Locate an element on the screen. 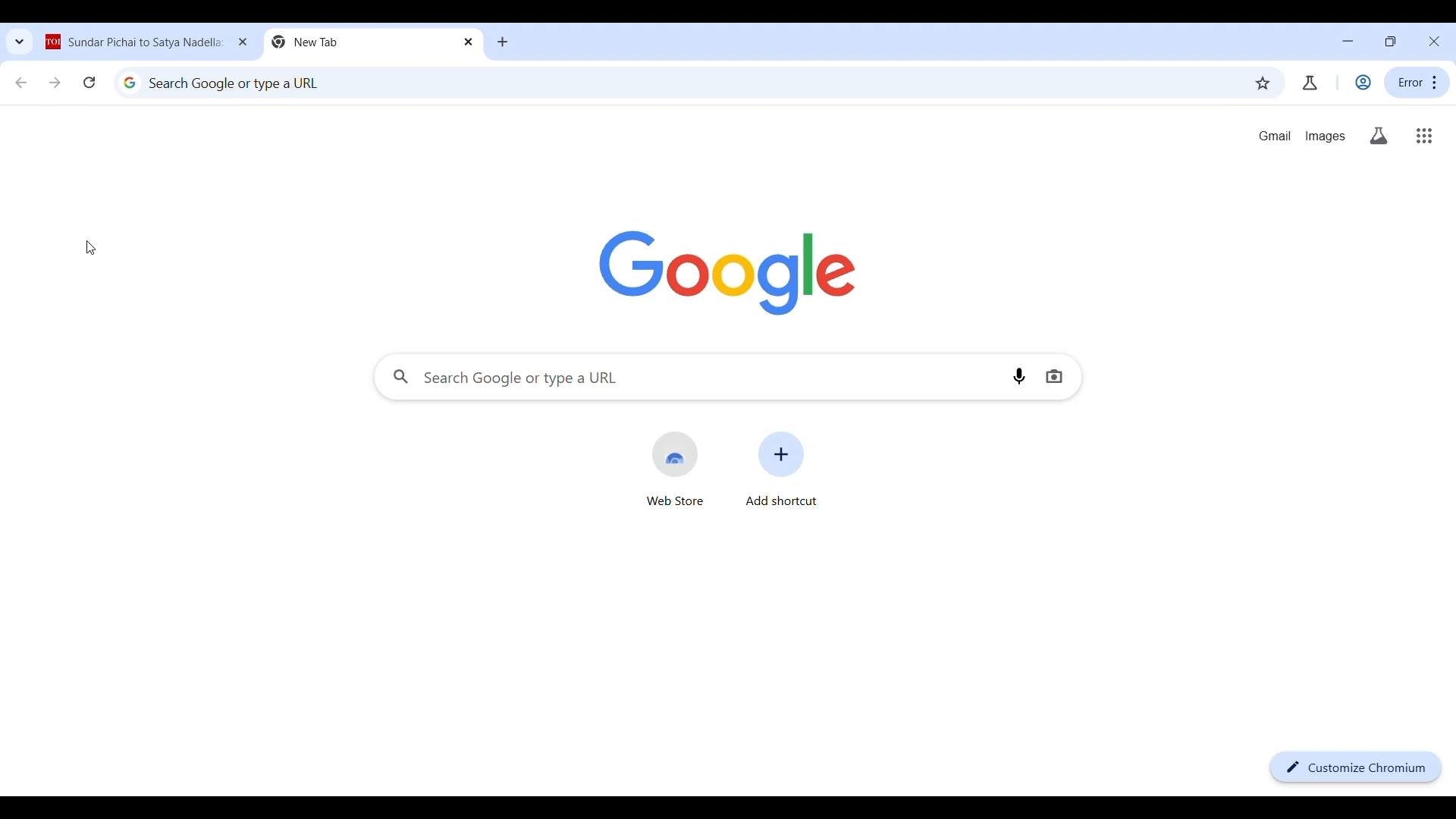 The height and width of the screenshot is (819, 1456). Search by voice is located at coordinates (1019, 376).